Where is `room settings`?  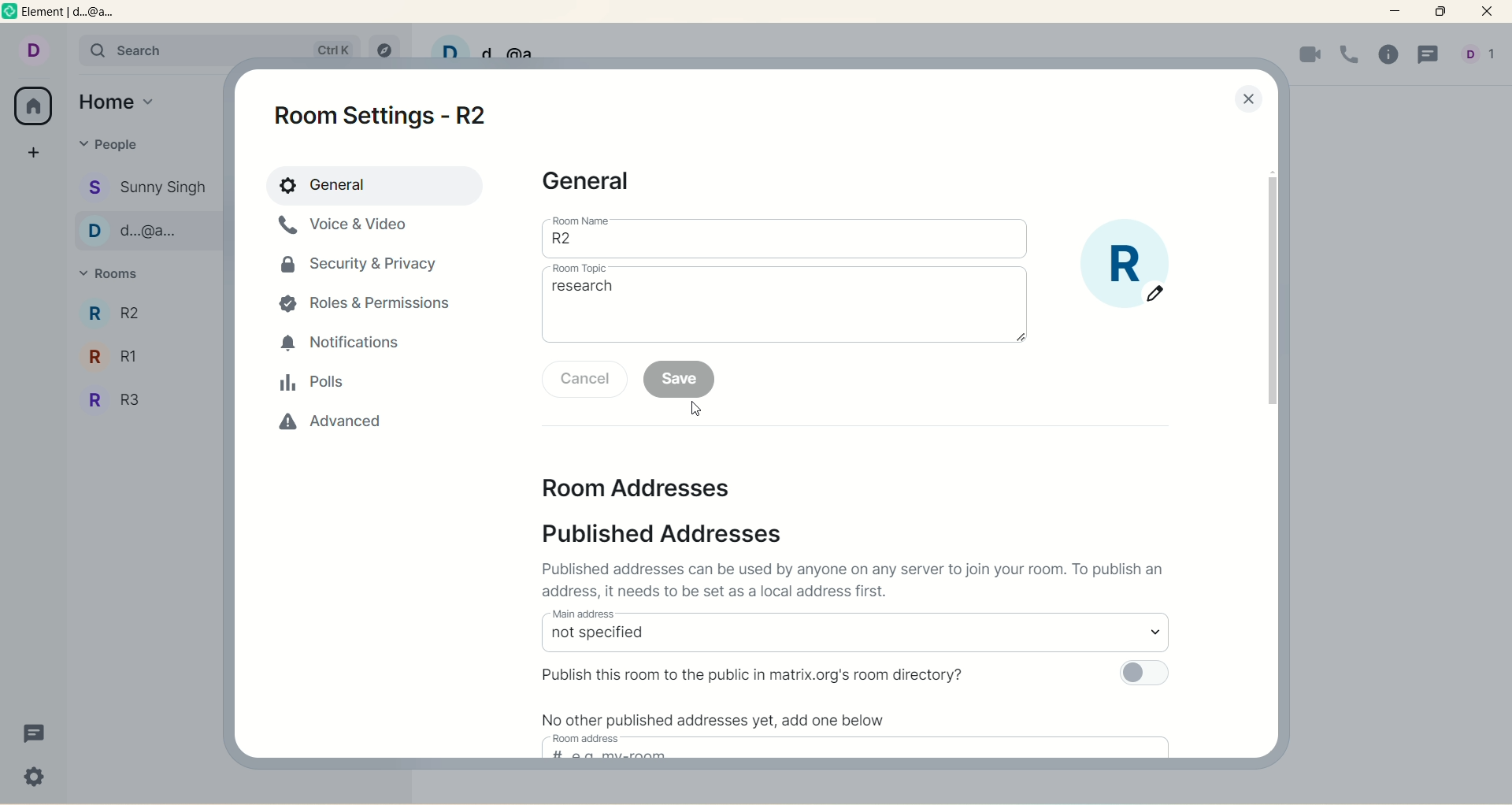
room settings is located at coordinates (391, 114).